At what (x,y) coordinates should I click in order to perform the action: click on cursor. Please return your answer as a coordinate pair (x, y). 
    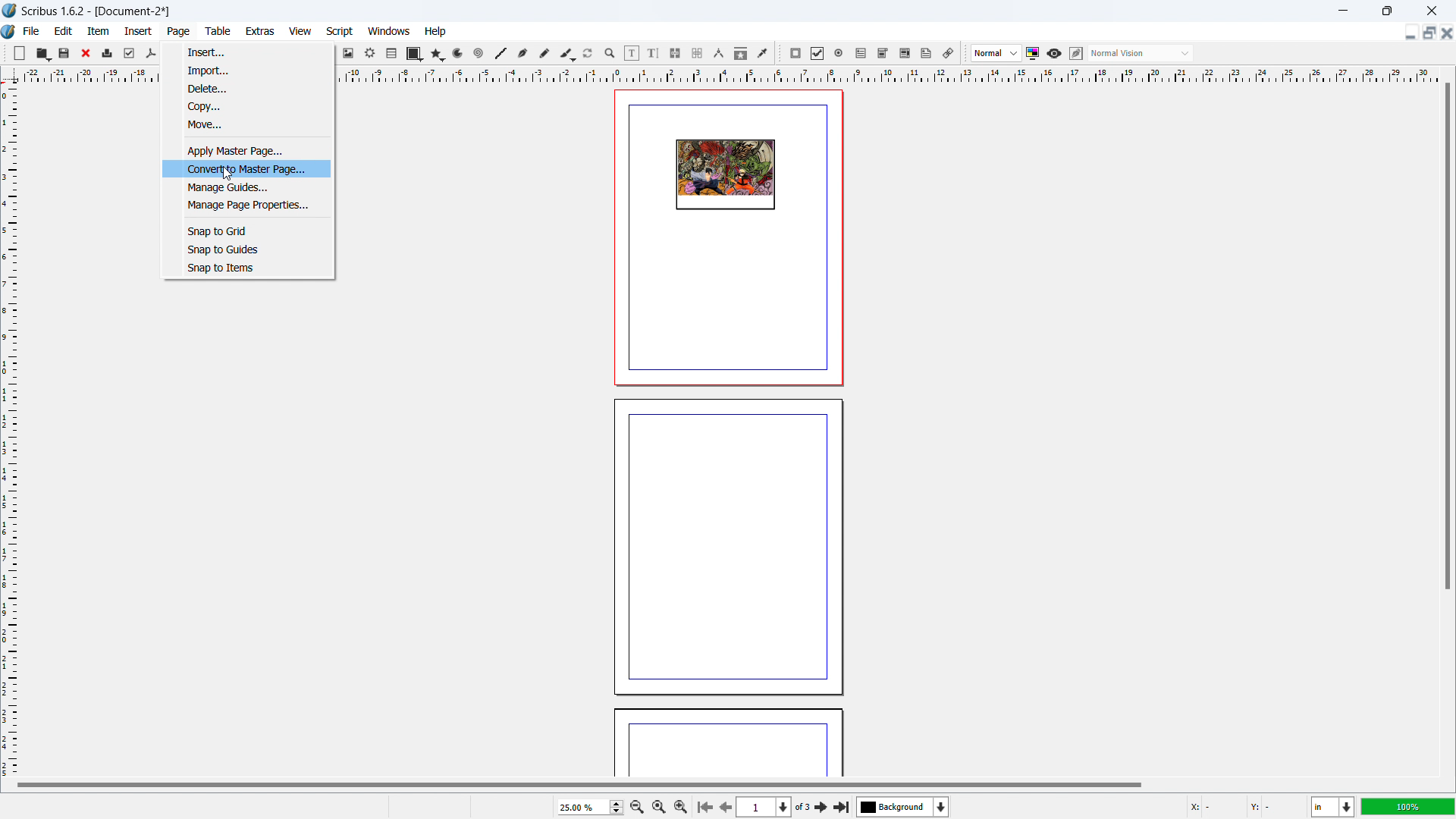
    Looking at the image, I should click on (228, 174).